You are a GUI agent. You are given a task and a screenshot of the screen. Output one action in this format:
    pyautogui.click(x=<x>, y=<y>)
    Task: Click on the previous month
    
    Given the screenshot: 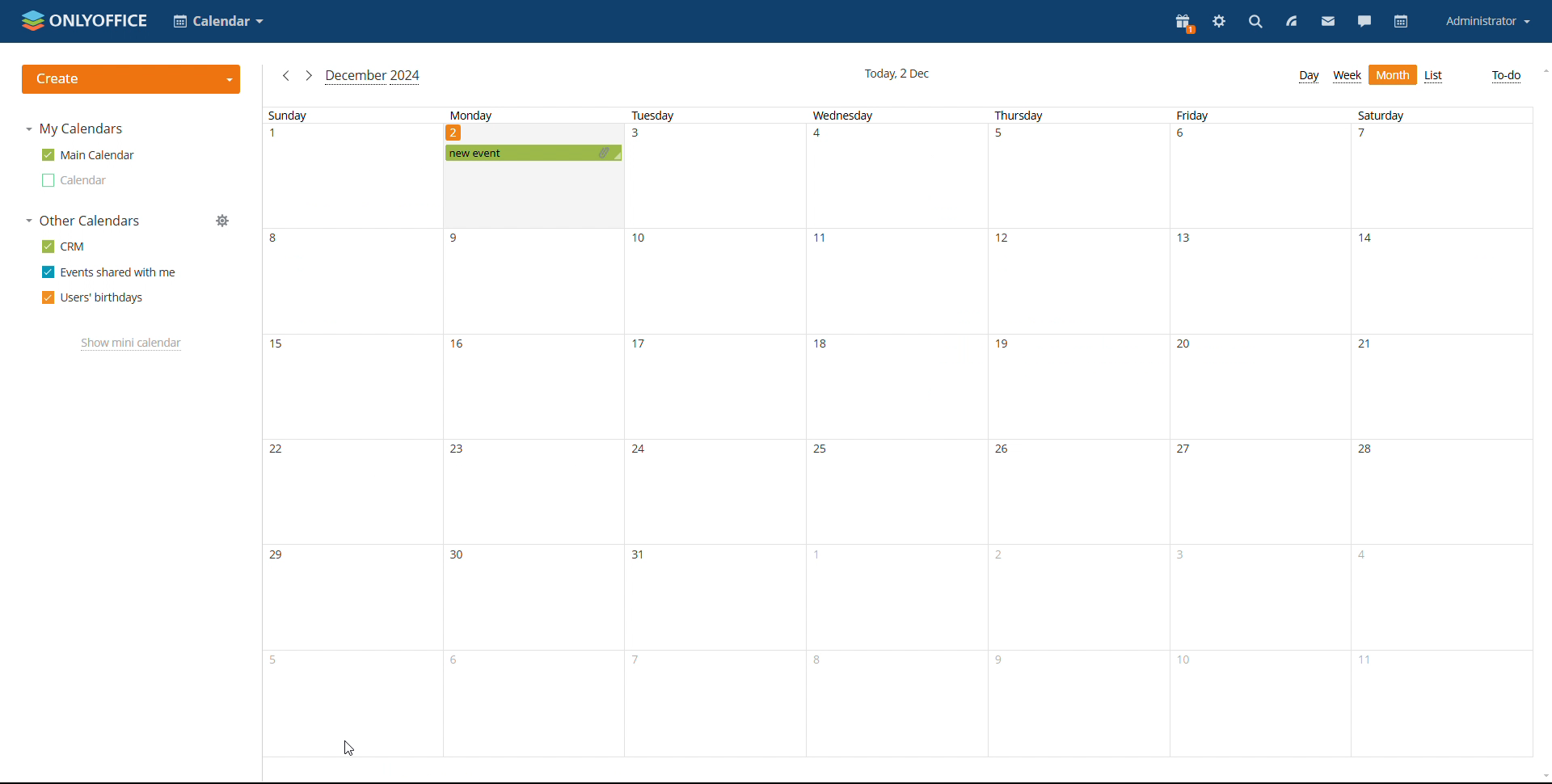 What is the action you would take?
    pyautogui.click(x=285, y=76)
    